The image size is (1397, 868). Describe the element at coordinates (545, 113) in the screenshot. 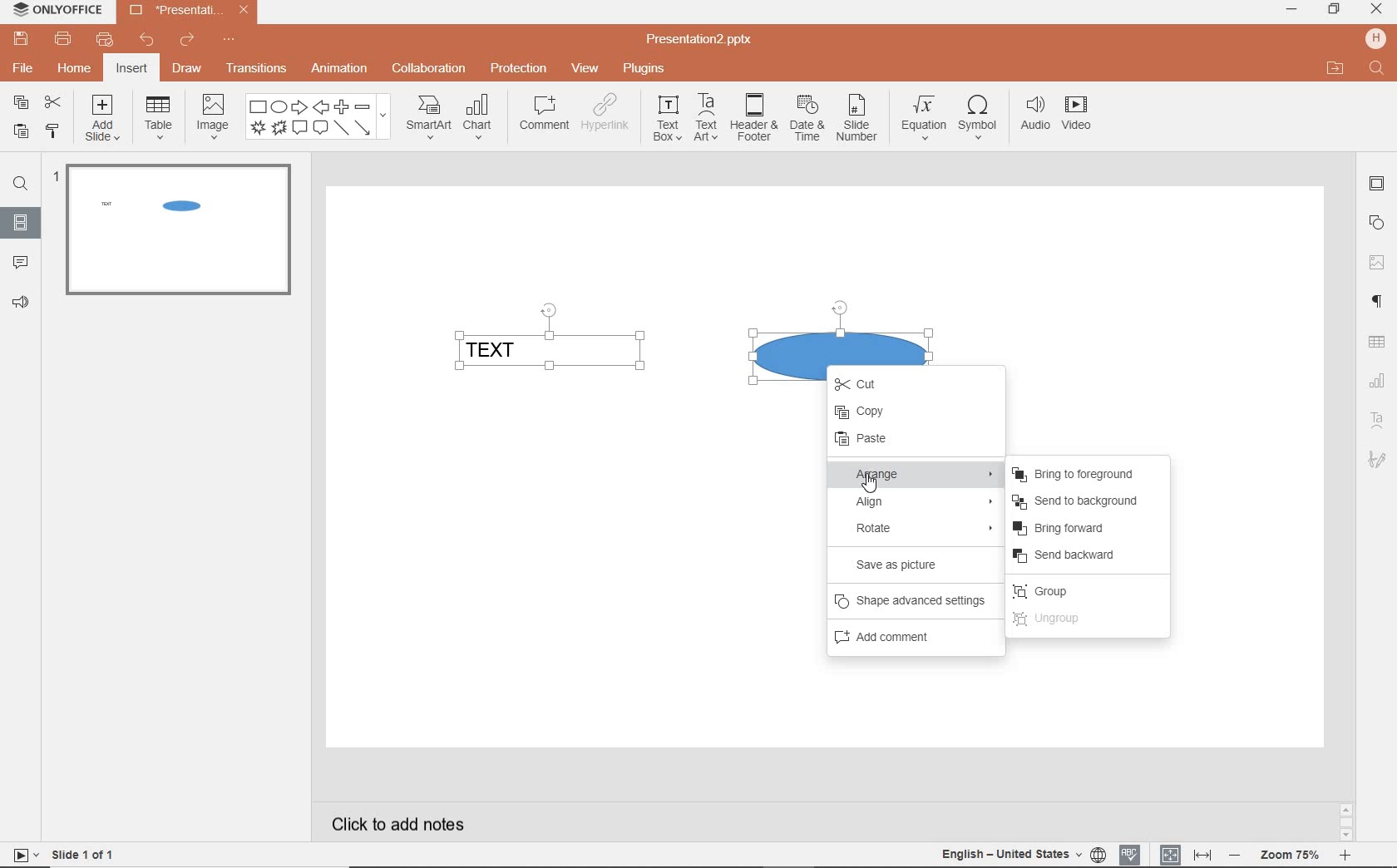

I see `comment` at that location.